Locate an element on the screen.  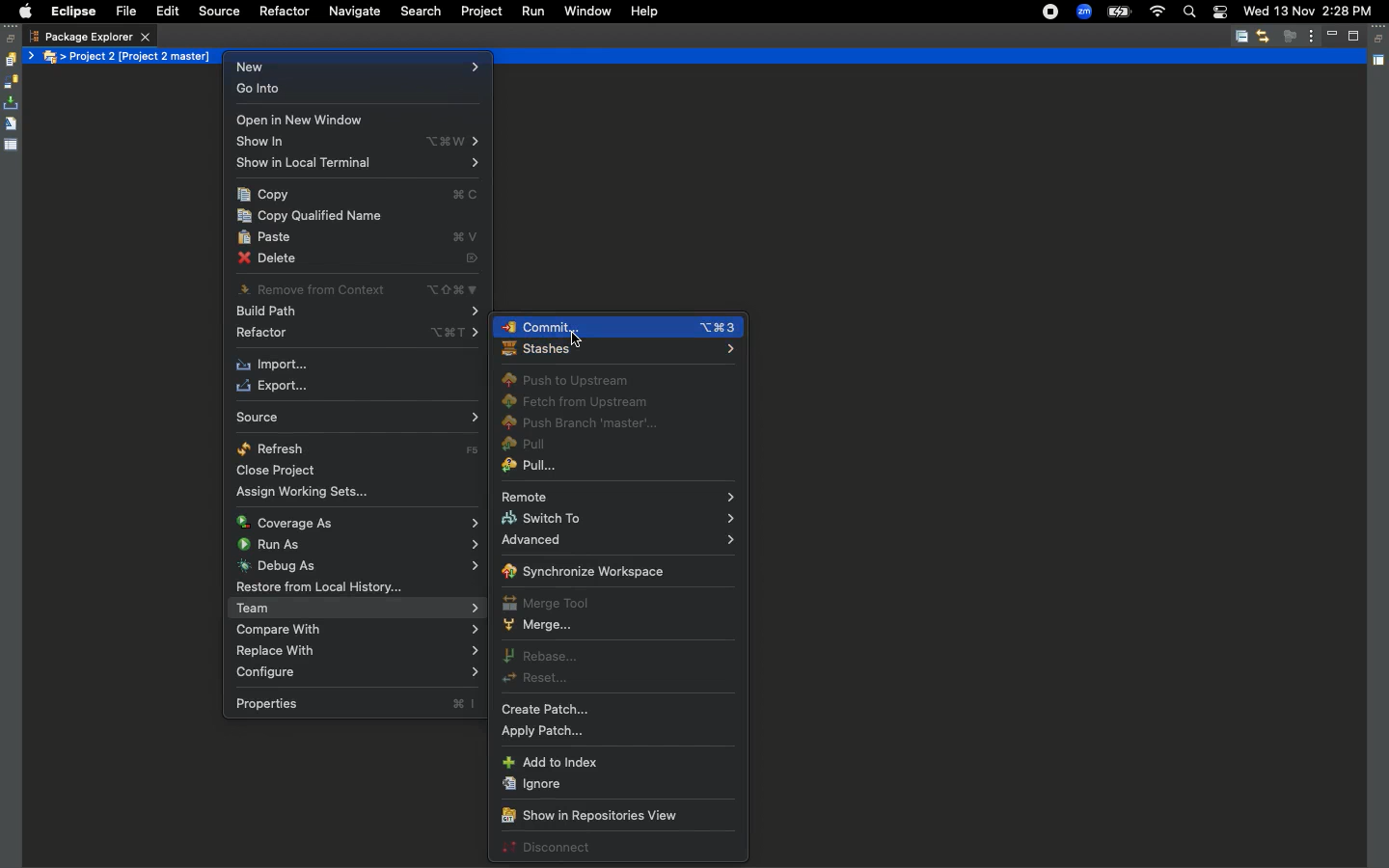
Minimize is located at coordinates (1335, 36).